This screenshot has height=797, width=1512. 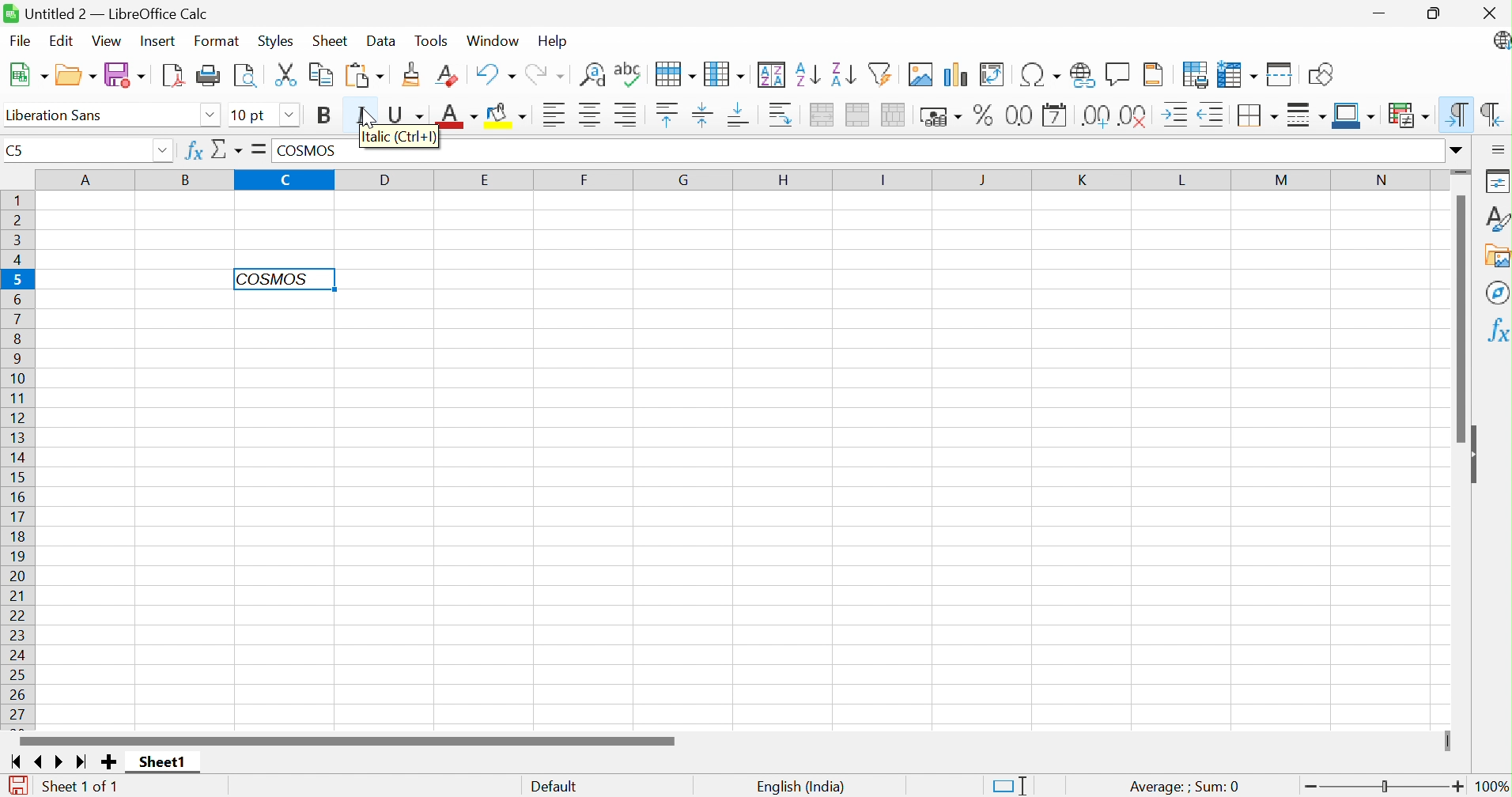 What do you see at coordinates (1355, 117) in the screenshot?
I see `Border color` at bounding box center [1355, 117].